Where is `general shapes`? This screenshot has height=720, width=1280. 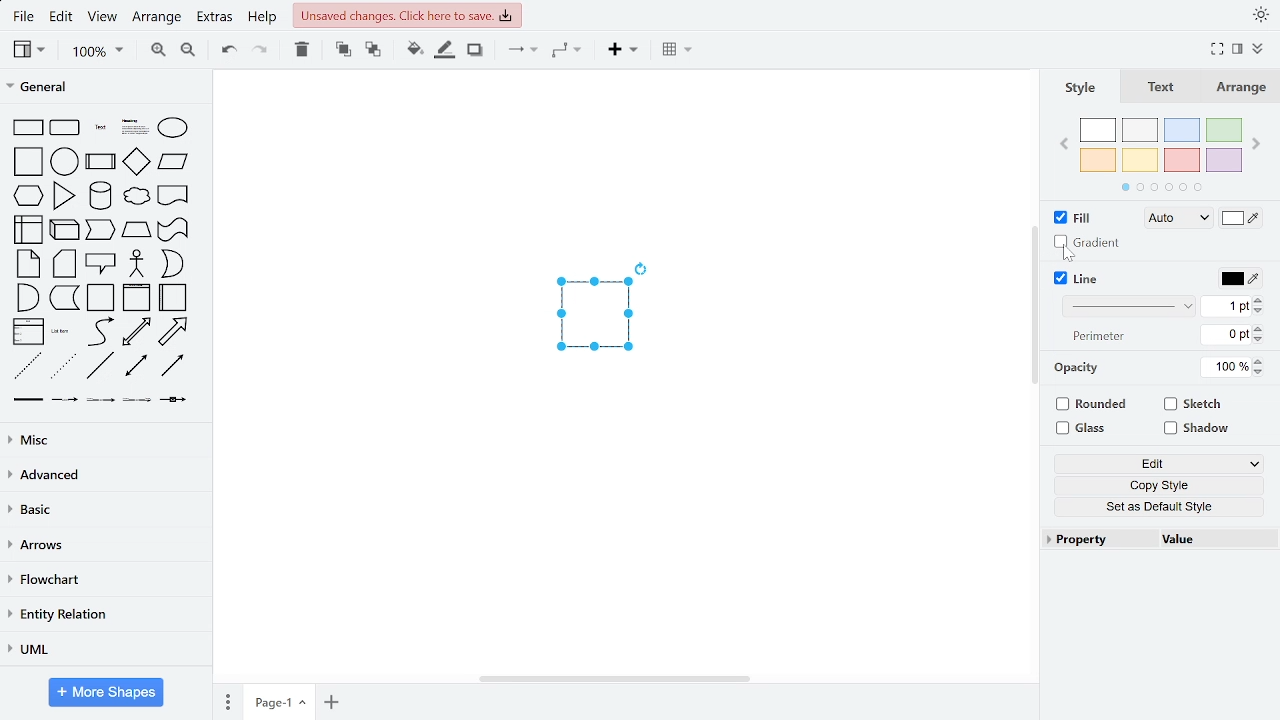
general shapes is located at coordinates (136, 197).